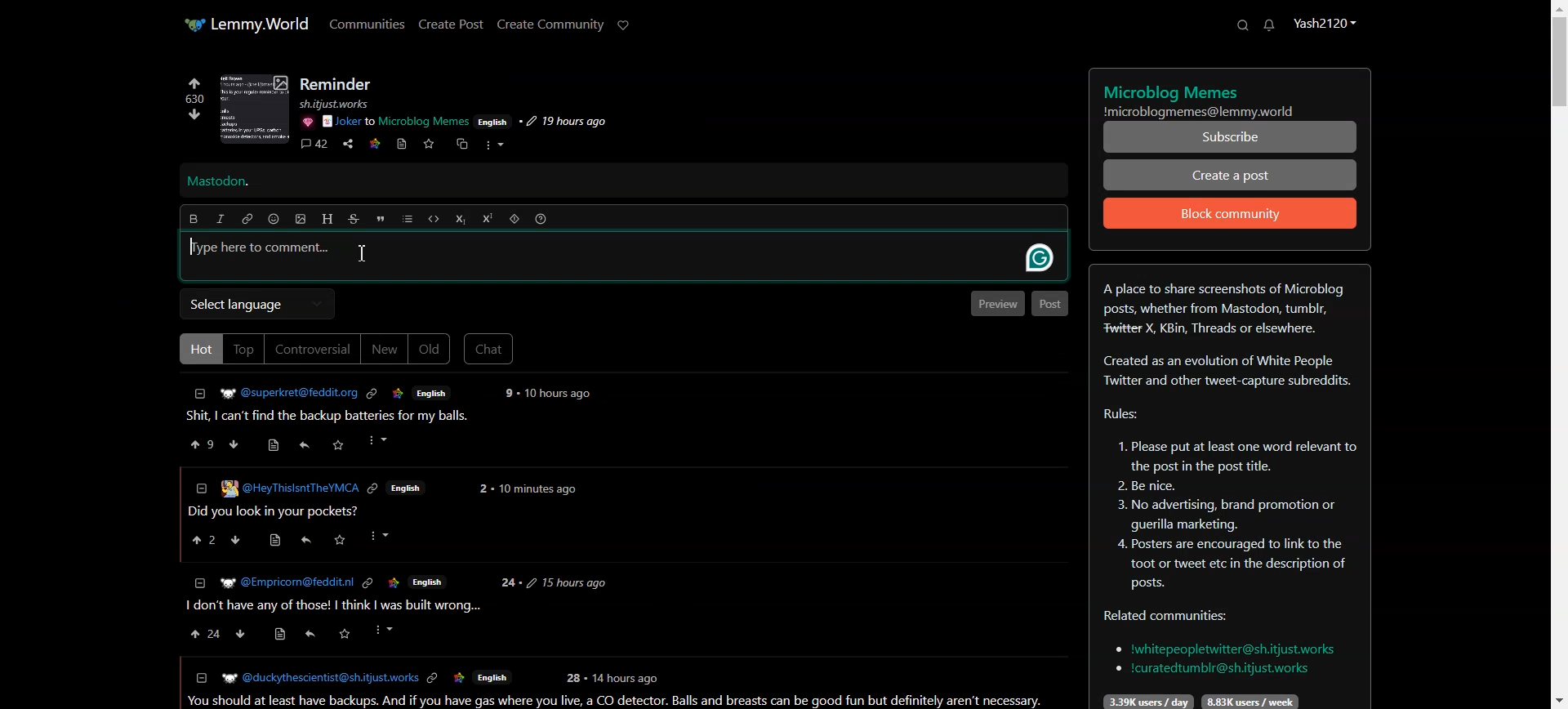 This screenshot has width=1568, height=709. I want to click on Link, so click(375, 142).